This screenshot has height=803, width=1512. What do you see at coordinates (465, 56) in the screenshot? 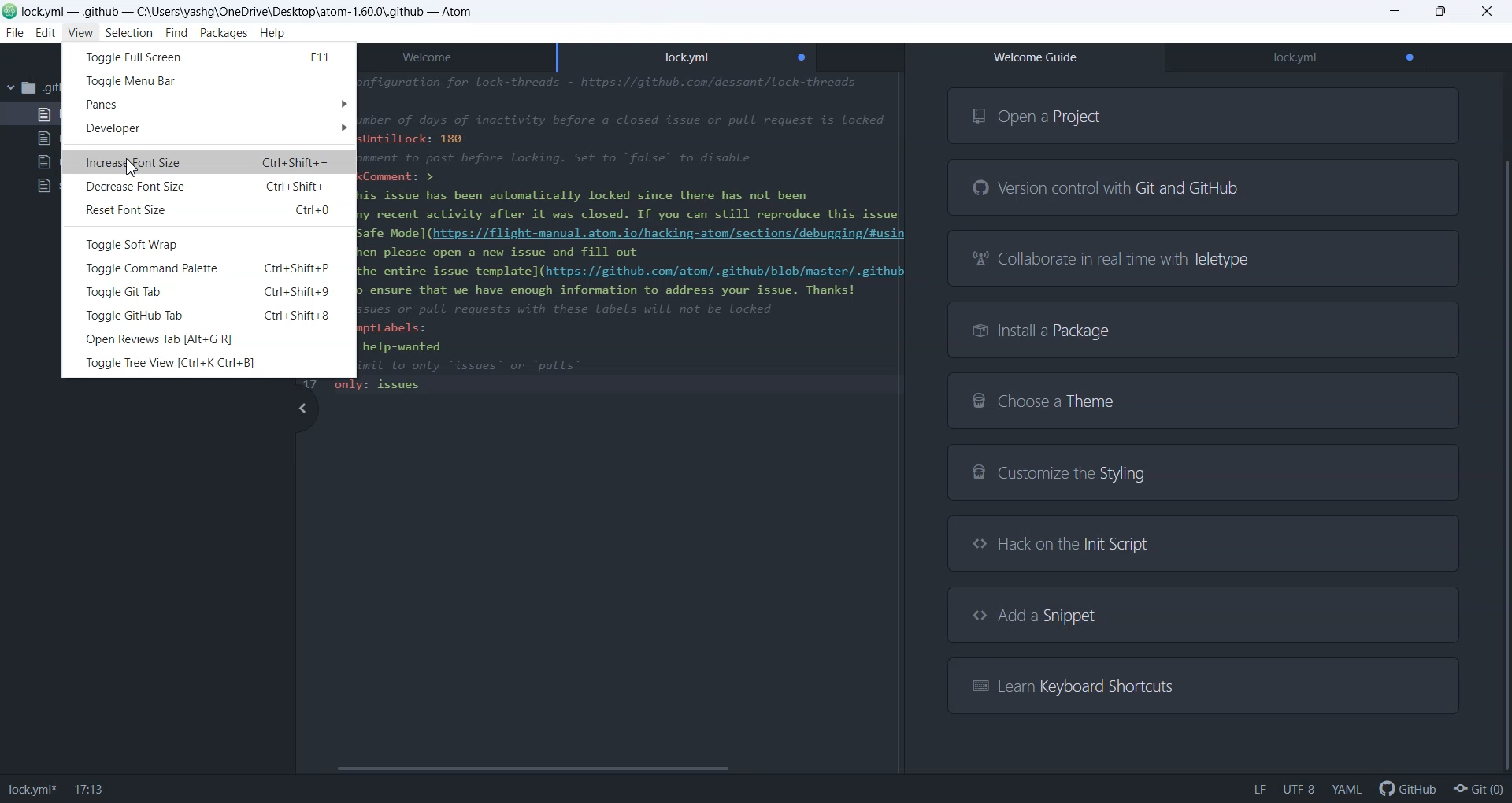
I see `Welcome ` at bounding box center [465, 56].